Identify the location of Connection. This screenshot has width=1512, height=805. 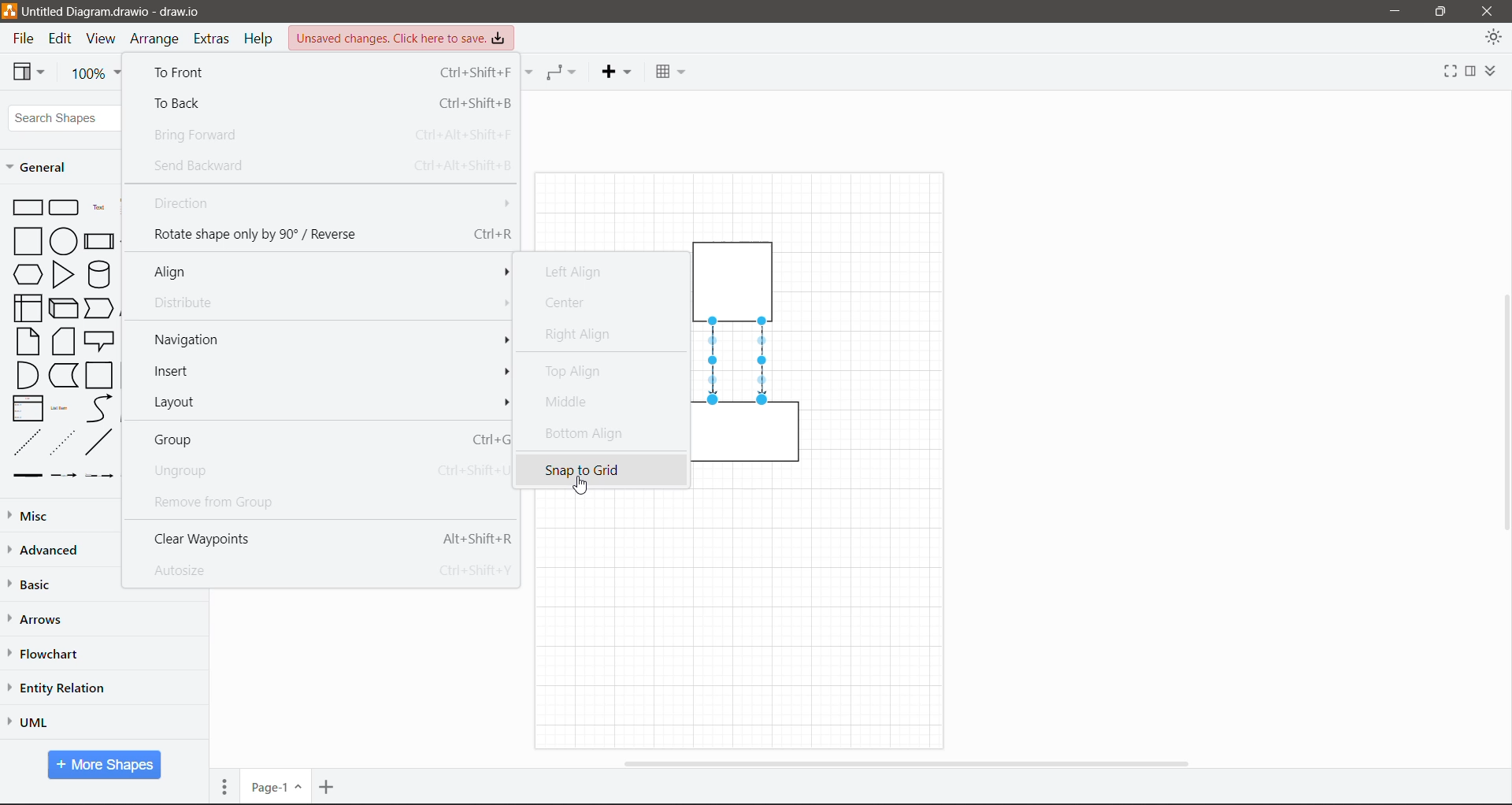
(529, 72).